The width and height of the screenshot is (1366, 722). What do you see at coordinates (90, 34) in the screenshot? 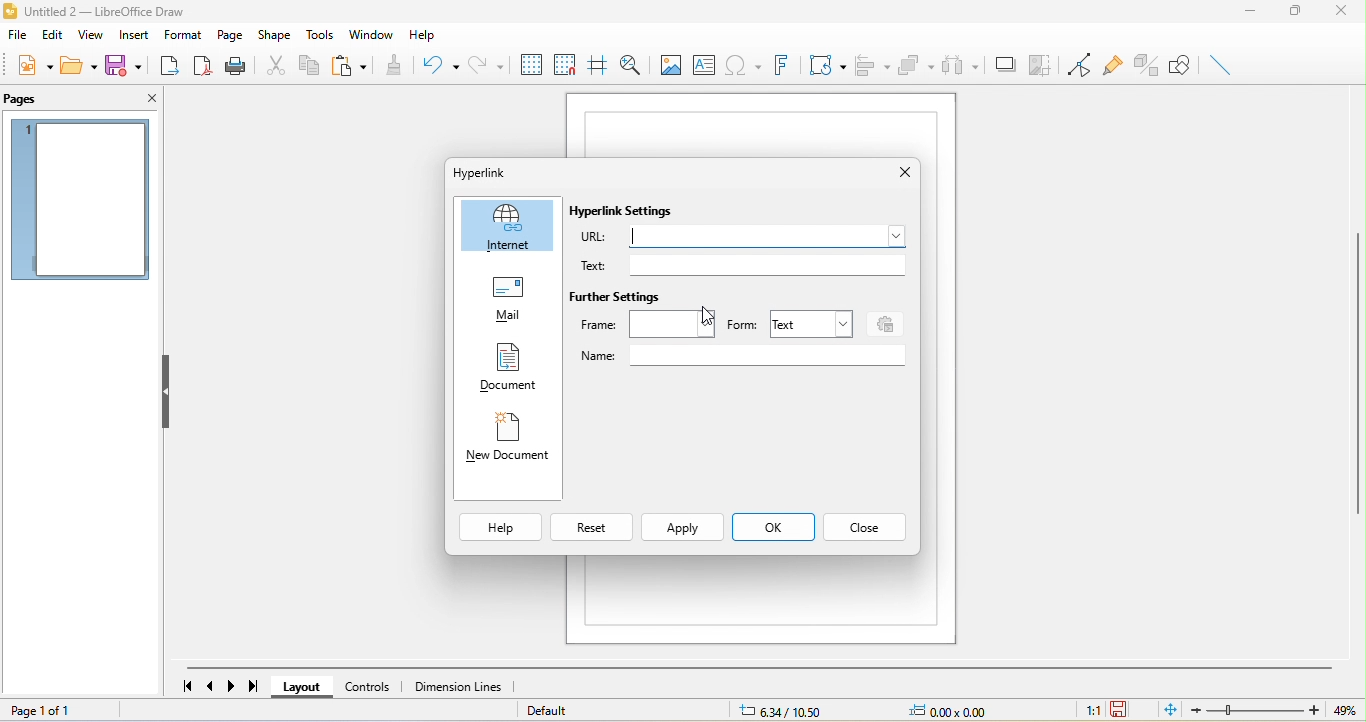
I see `view` at bounding box center [90, 34].